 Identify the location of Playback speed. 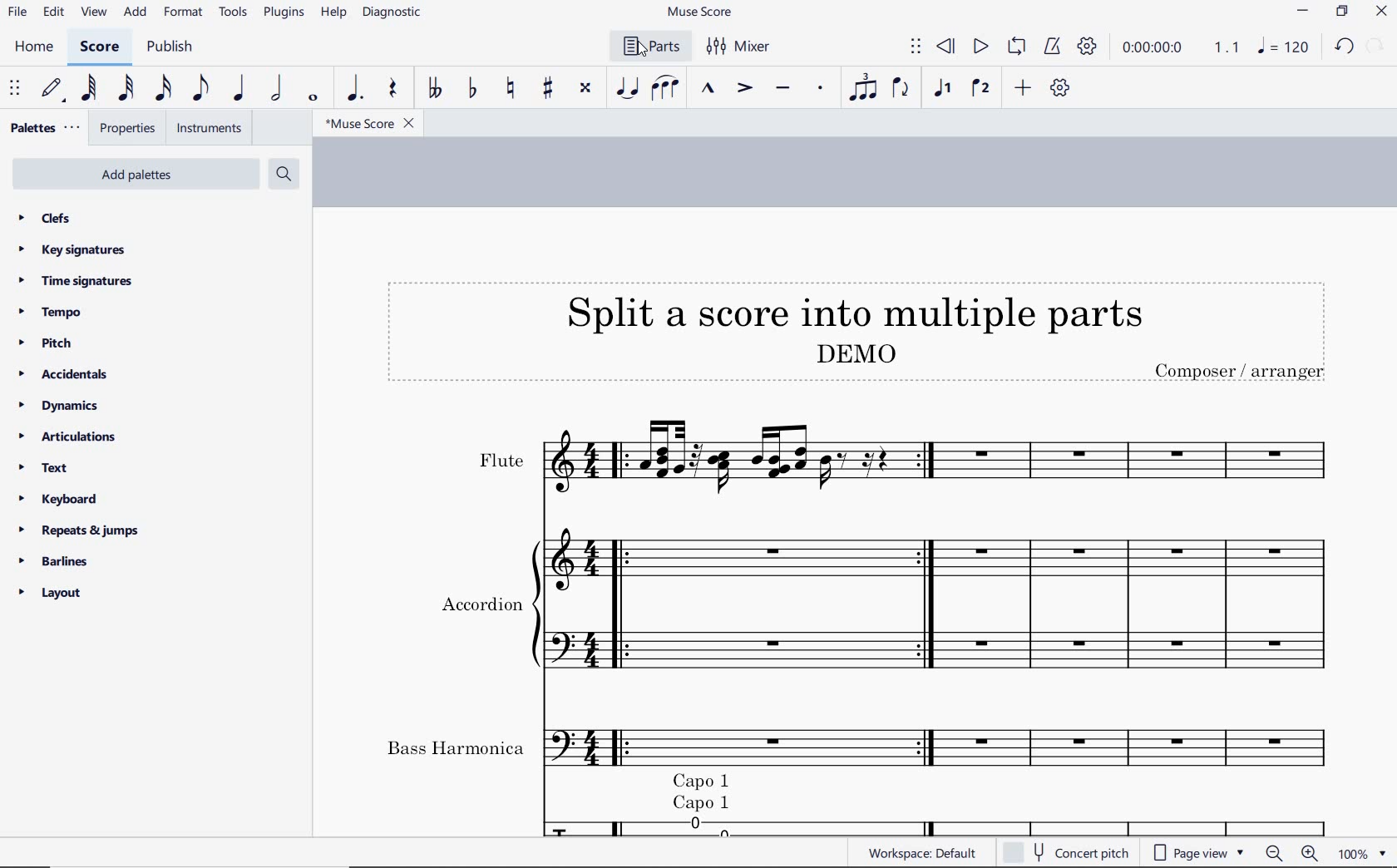
(1228, 47).